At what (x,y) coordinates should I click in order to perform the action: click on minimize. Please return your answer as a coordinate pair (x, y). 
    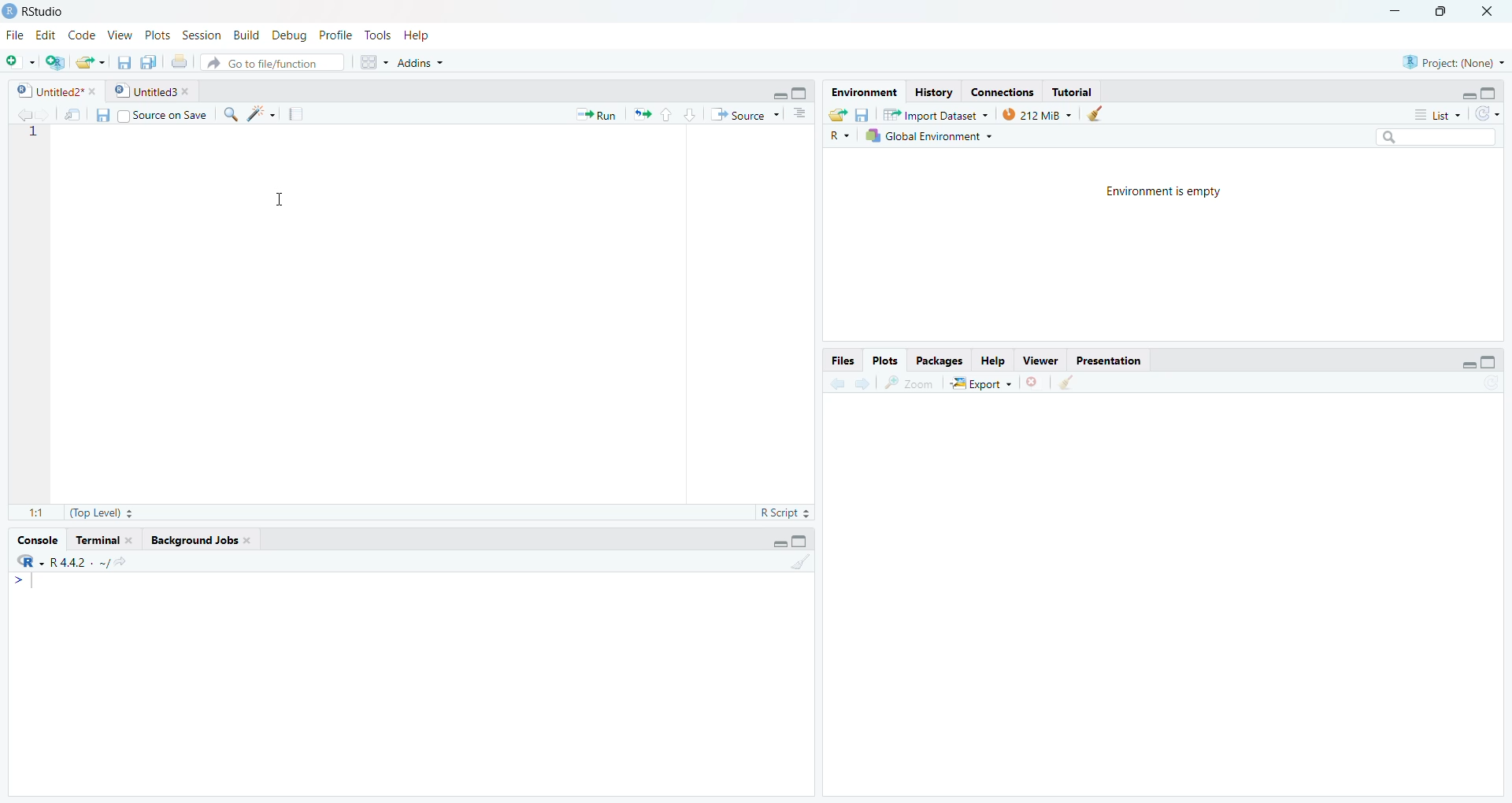
    Looking at the image, I should click on (772, 96).